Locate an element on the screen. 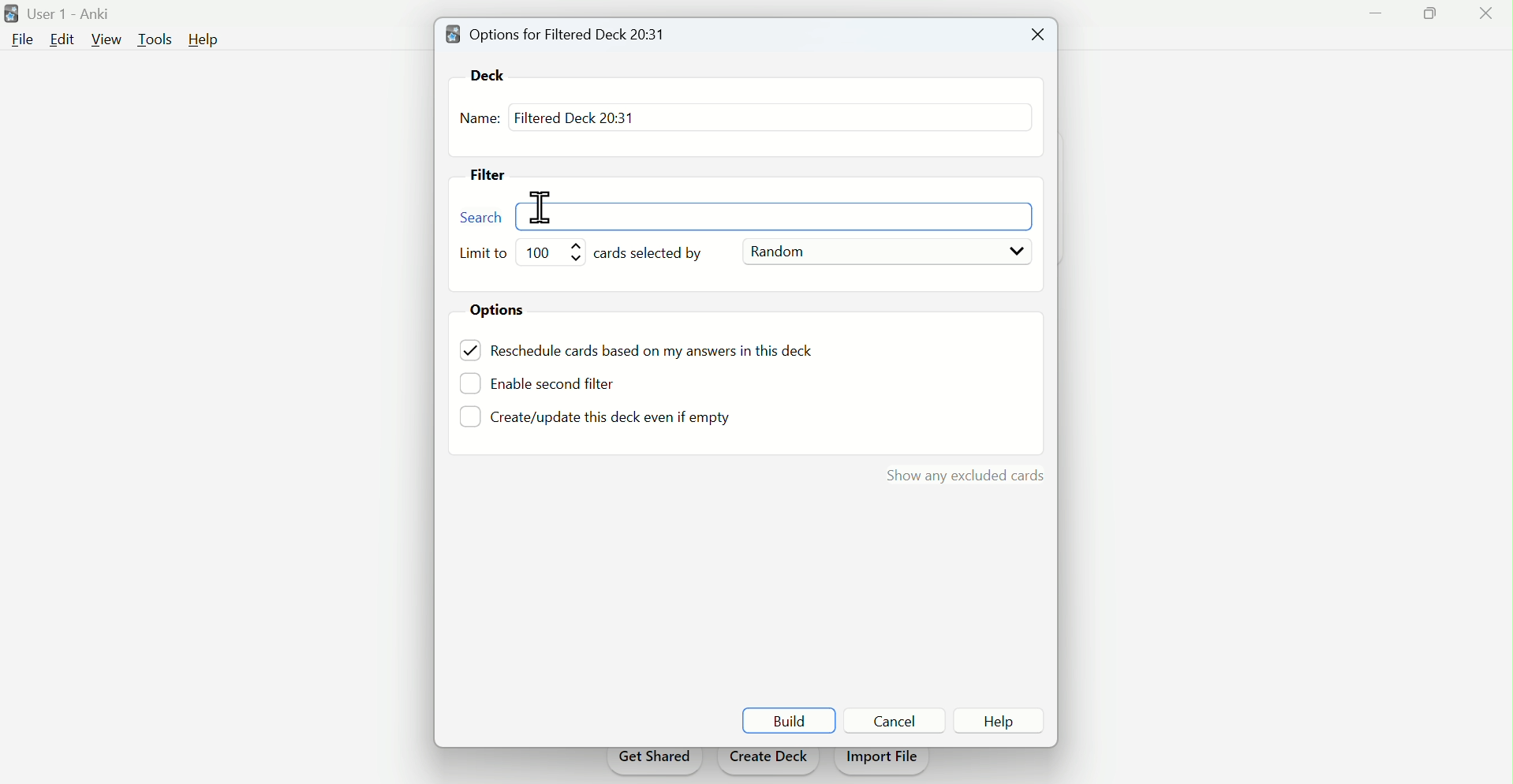 The width and height of the screenshot is (1513, 784). Tools is located at coordinates (158, 38).